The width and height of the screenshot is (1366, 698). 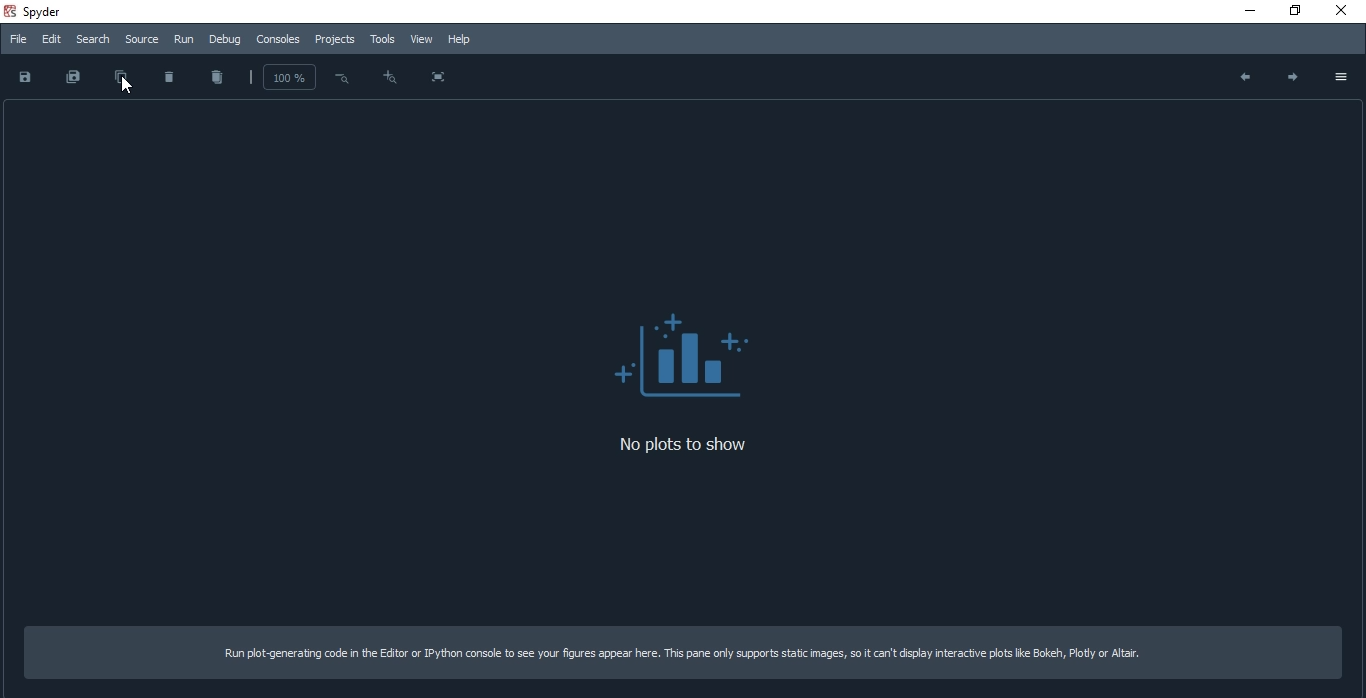 I want to click on View, so click(x=421, y=40).